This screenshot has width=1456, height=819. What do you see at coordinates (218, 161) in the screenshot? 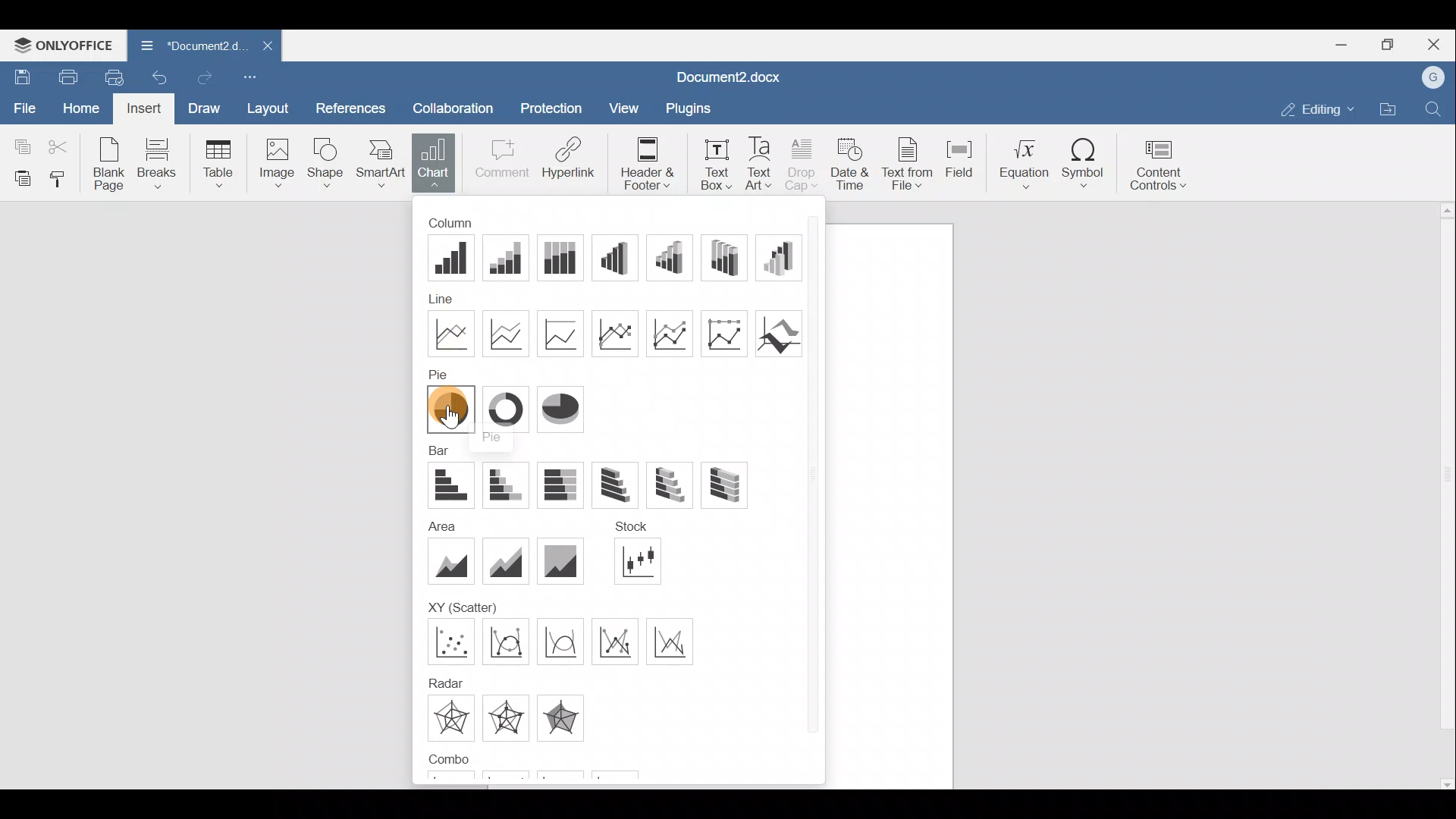
I see `Table` at bounding box center [218, 161].